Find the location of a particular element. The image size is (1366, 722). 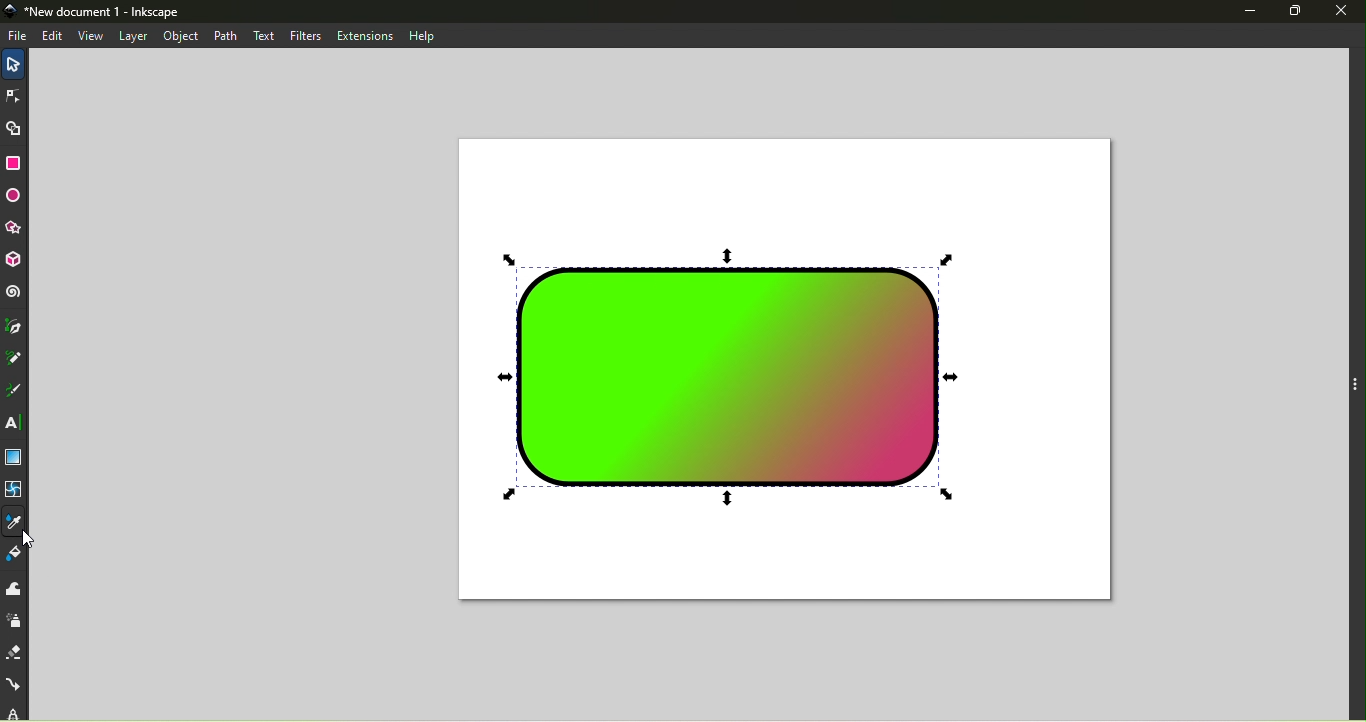

Shape builder tool is located at coordinates (14, 127).